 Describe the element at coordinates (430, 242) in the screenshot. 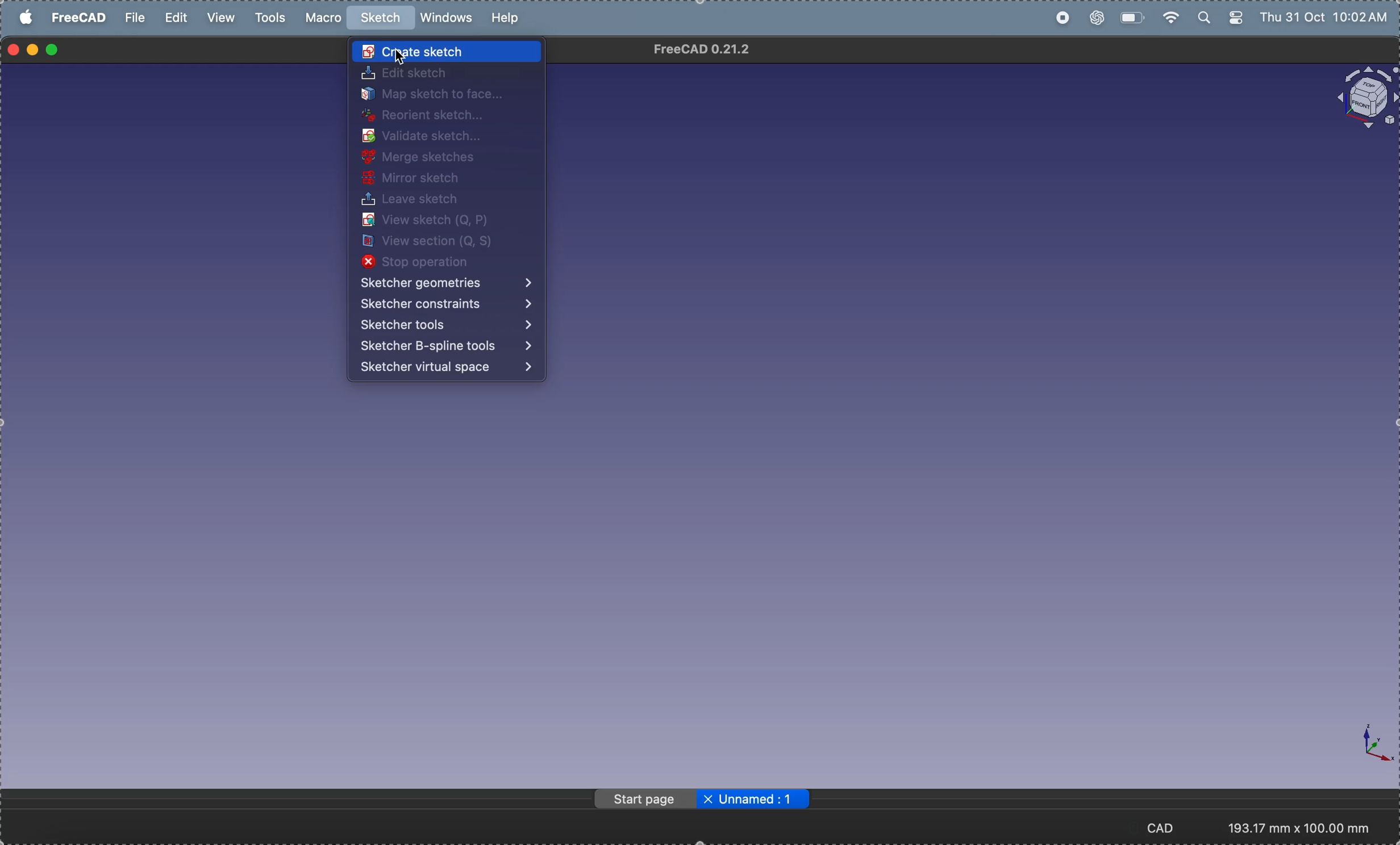

I see `view section` at that location.